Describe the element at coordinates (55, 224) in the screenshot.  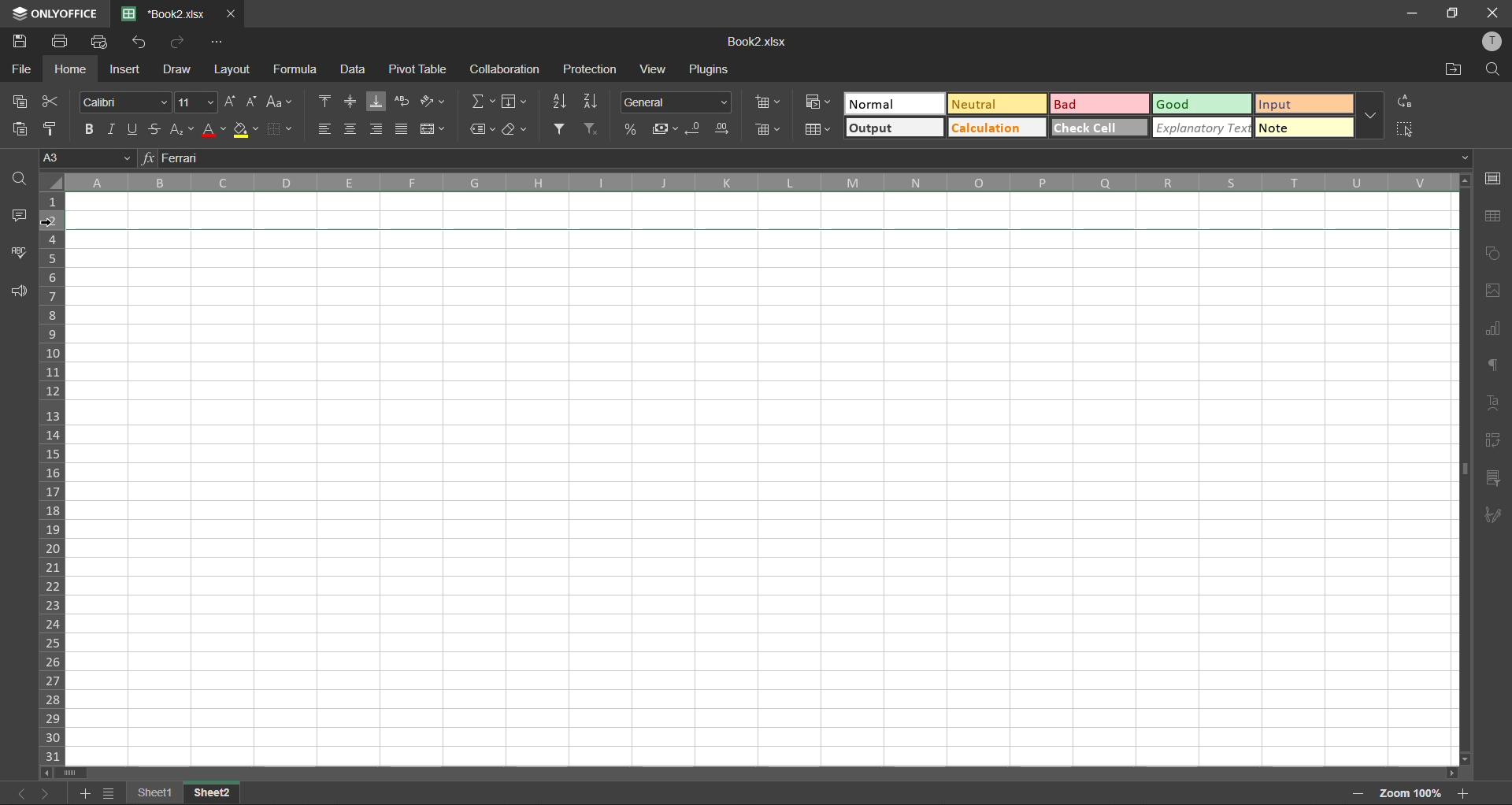
I see `cursor` at that location.